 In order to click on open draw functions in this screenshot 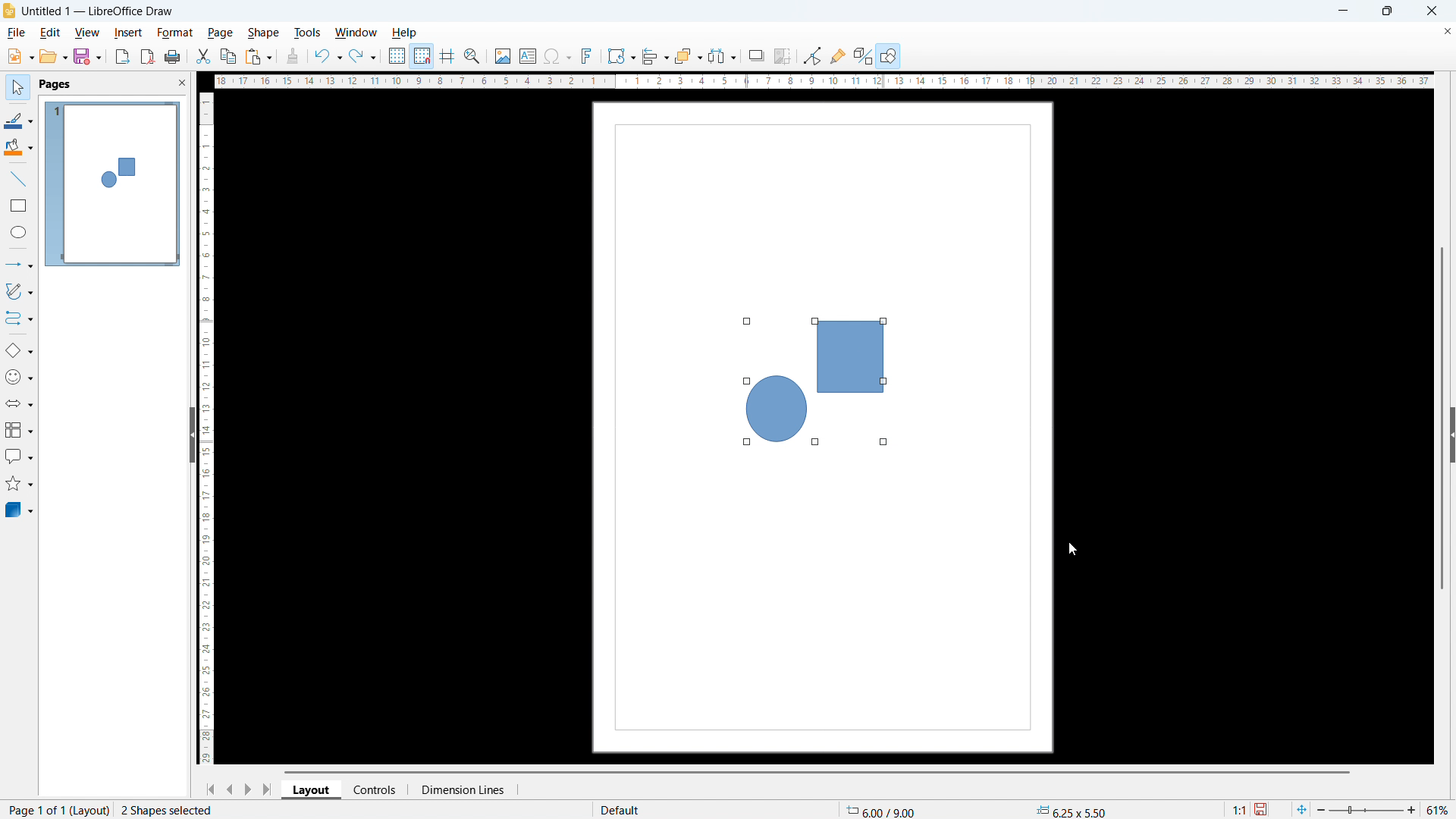, I will do `click(891, 55)`.